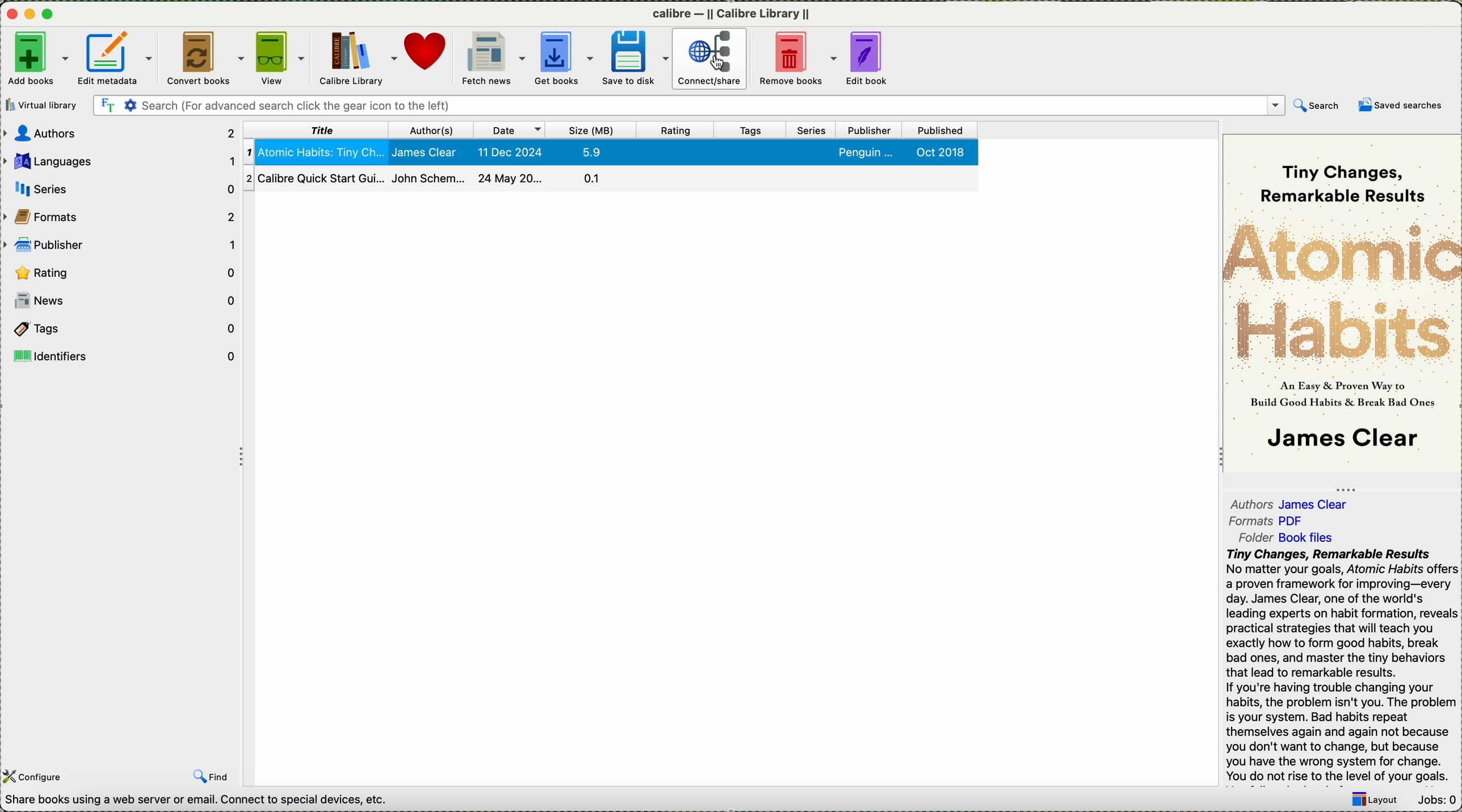  Describe the element at coordinates (39, 59) in the screenshot. I see `add boks` at that location.